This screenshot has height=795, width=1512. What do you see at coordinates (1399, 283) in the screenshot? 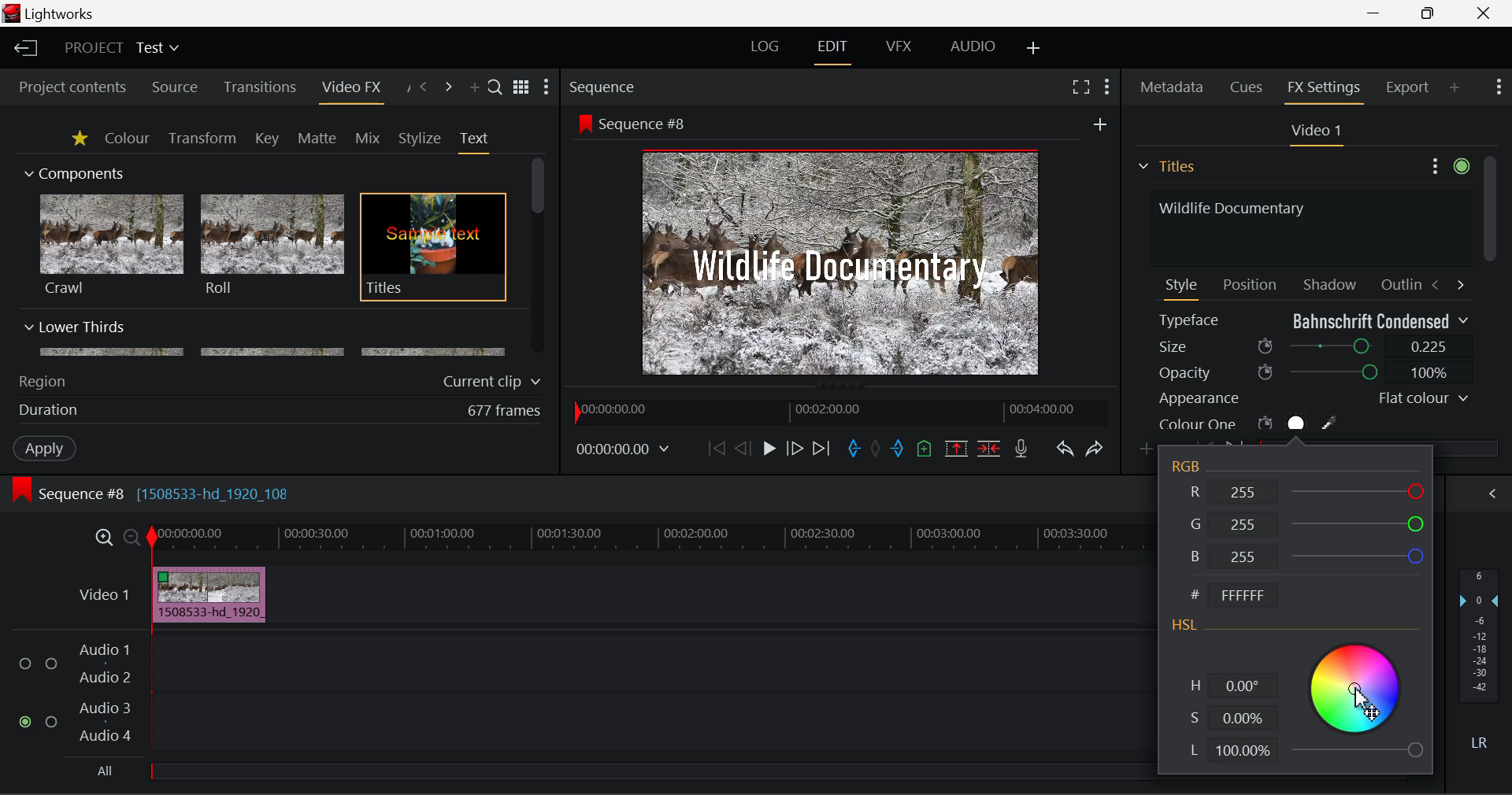
I see `Outline` at bounding box center [1399, 283].